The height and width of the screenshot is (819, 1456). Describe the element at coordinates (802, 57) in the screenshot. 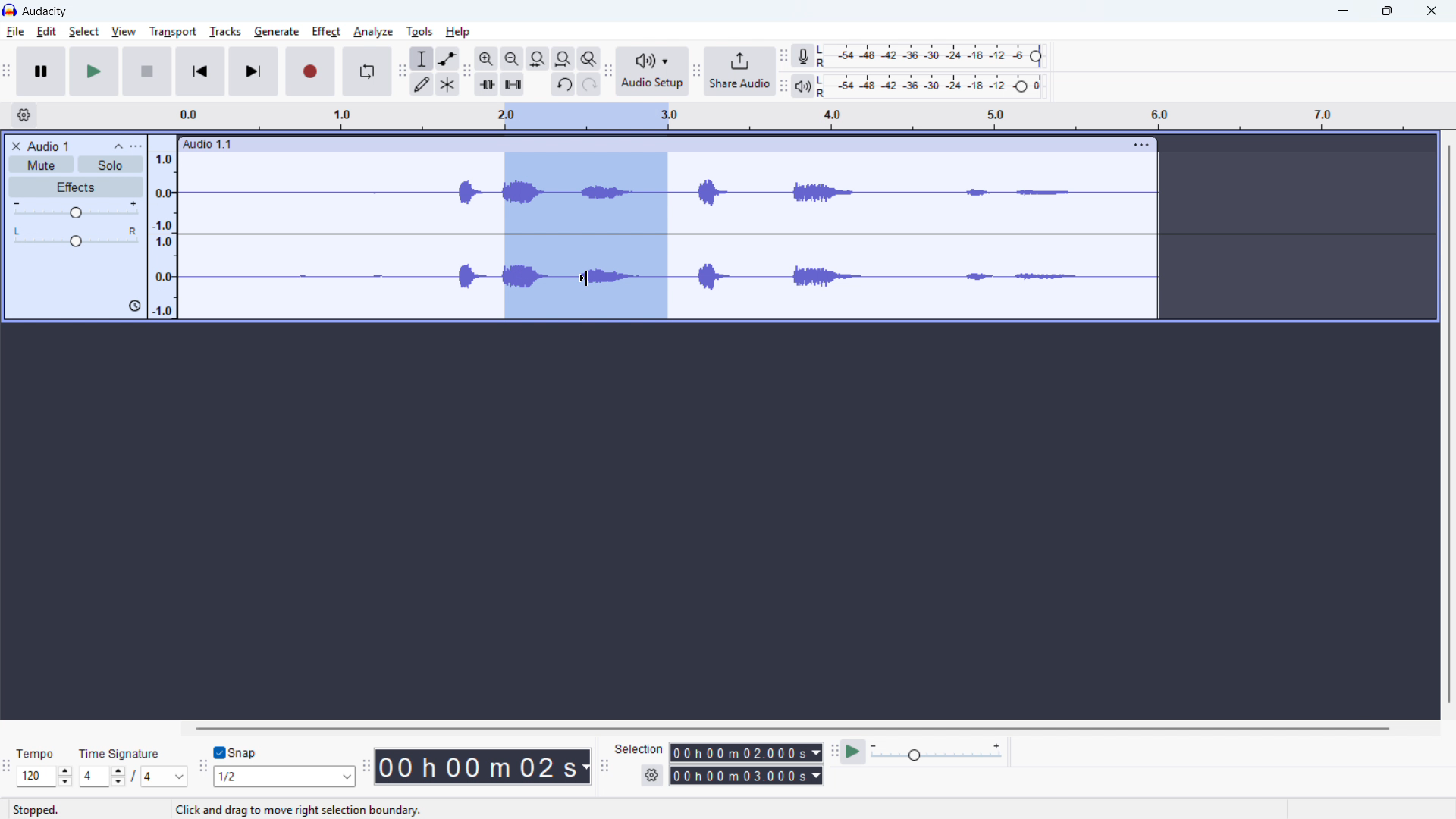

I see `Recording metre` at that location.